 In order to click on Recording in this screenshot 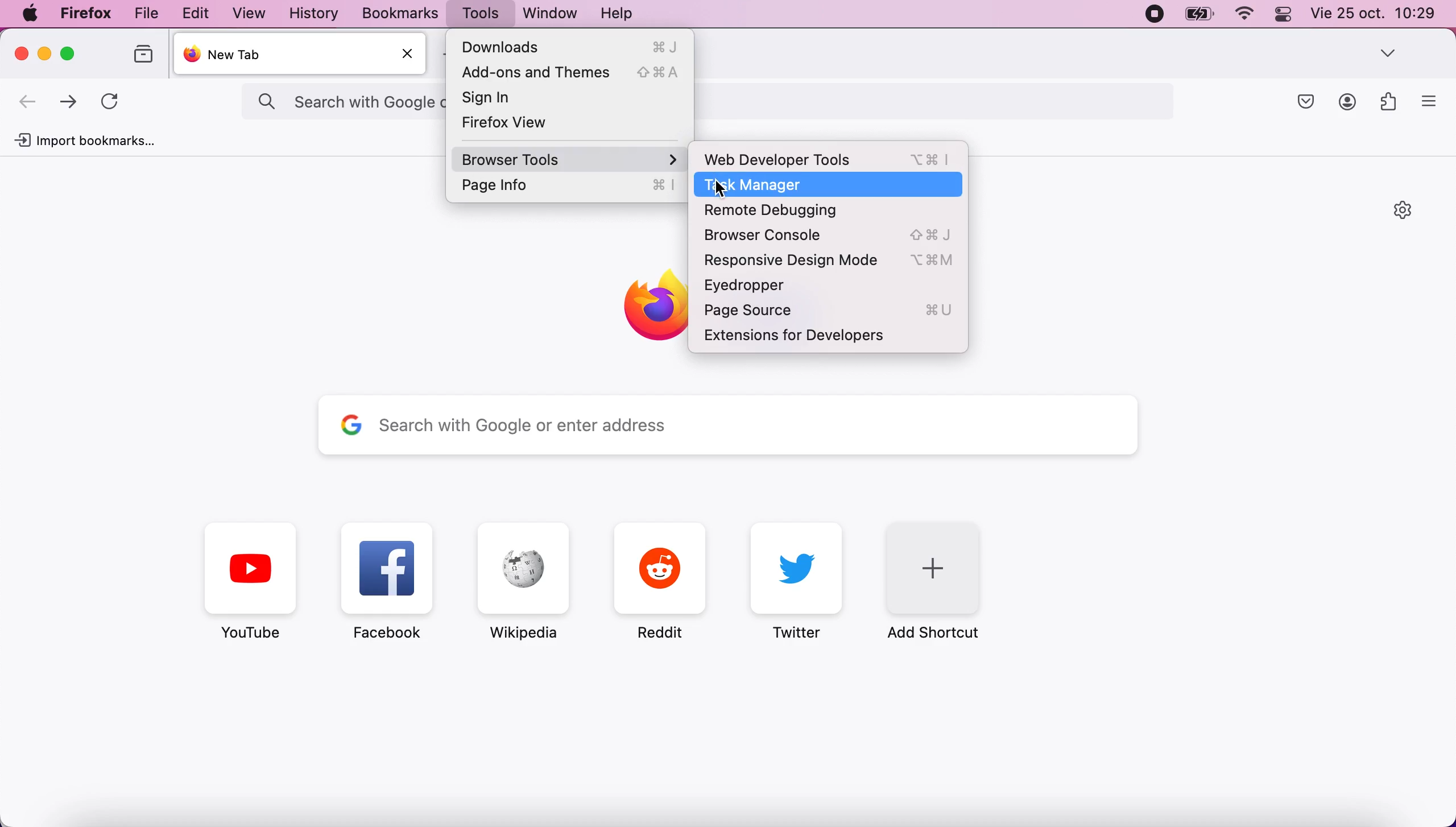, I will do `click(1156, 14)`.